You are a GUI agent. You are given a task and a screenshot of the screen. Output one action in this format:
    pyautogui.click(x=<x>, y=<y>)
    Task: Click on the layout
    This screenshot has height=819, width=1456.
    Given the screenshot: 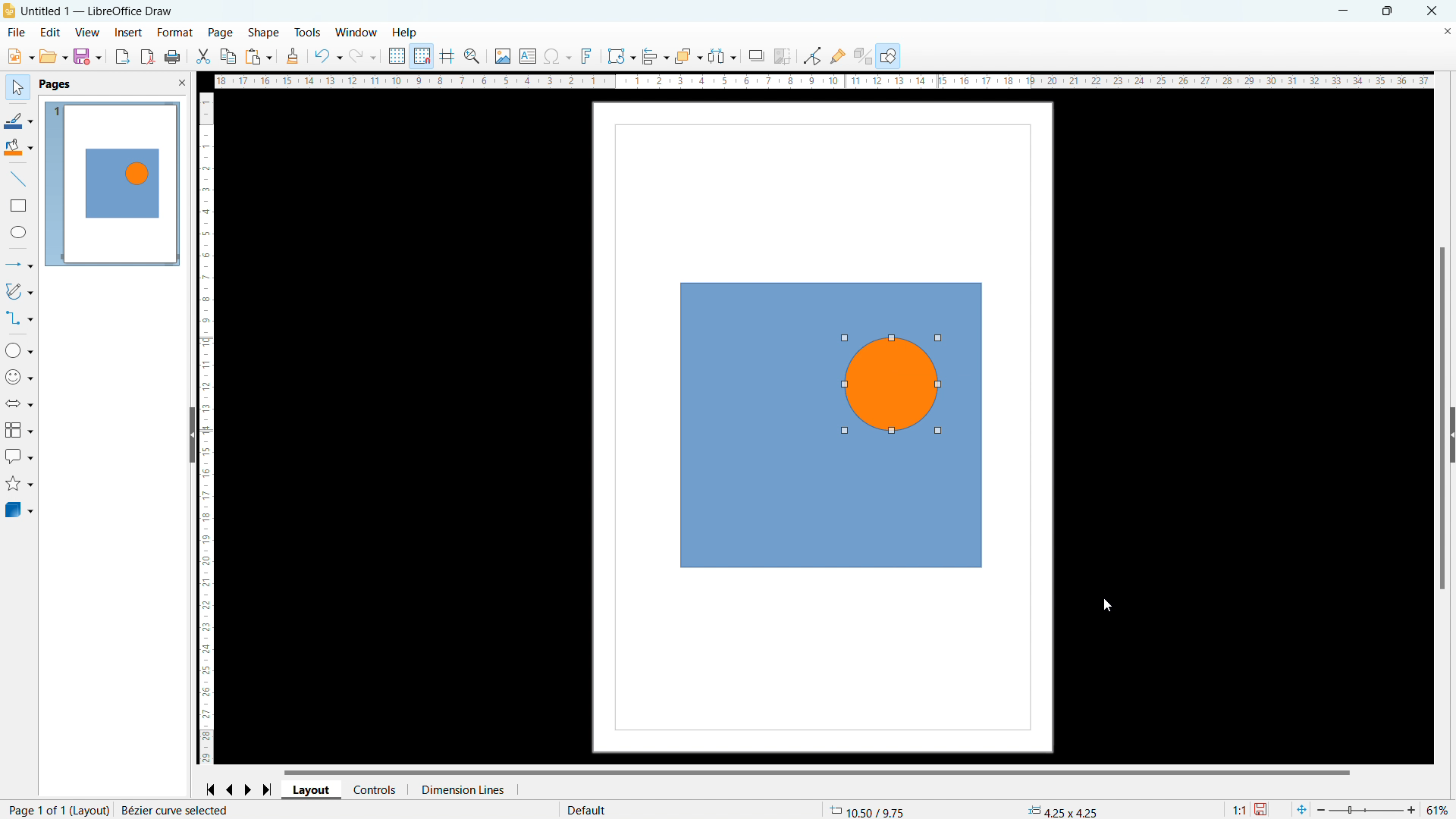 What is the action you would take?
    pyautogui.click(x=311, y=790)
    